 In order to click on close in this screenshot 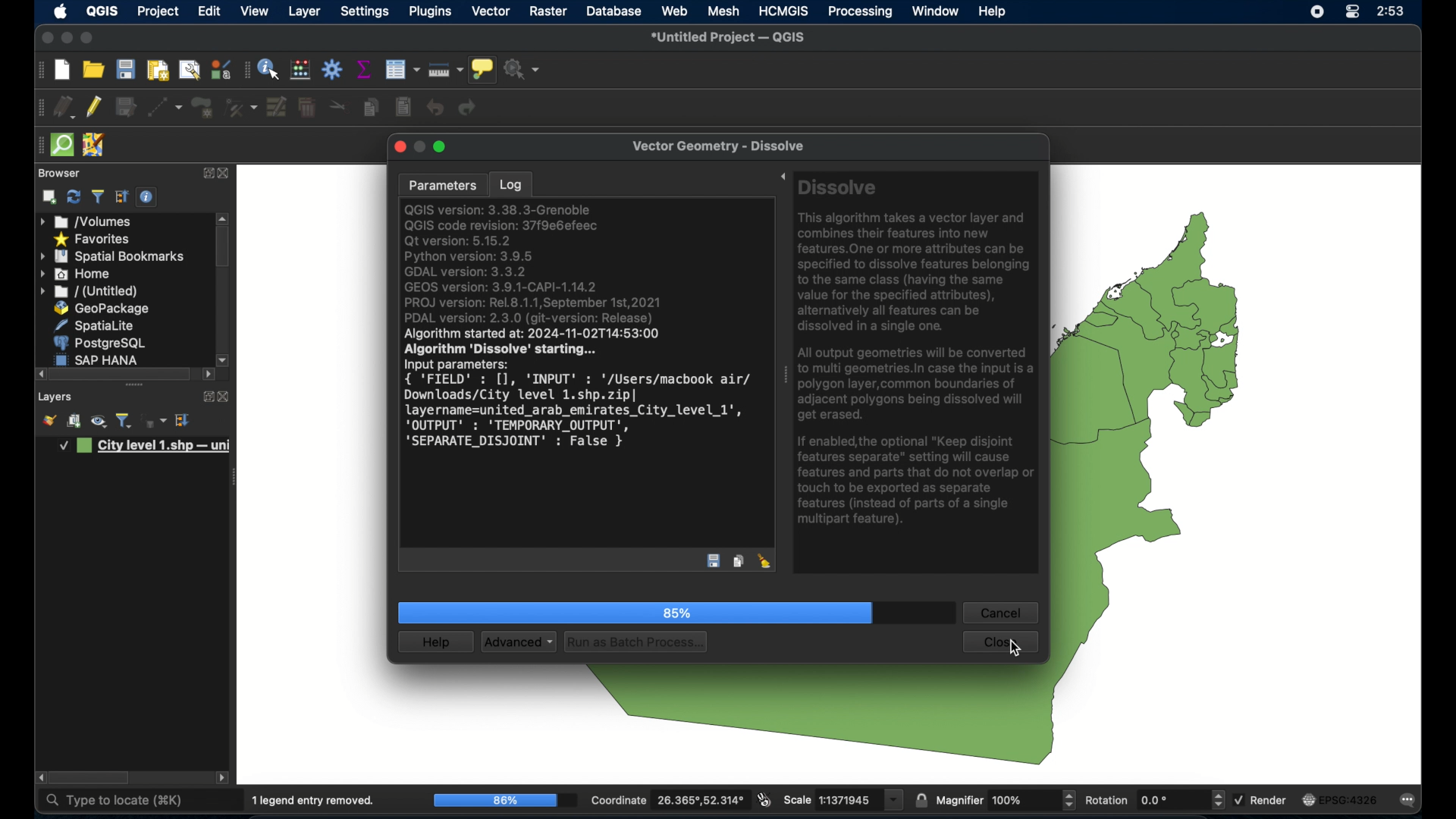, I will do `click(1002, 641)`.